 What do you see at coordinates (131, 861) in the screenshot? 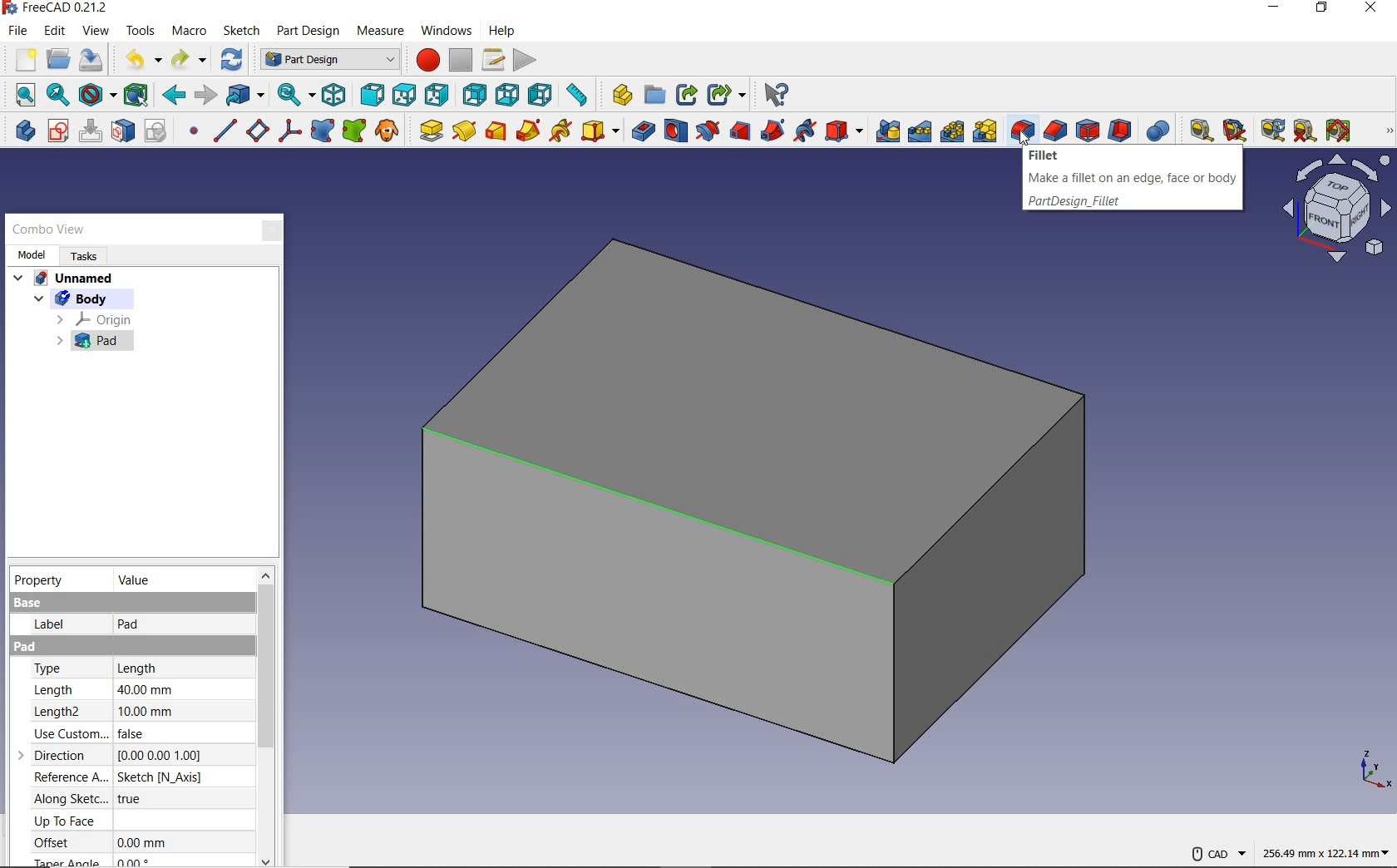
I see `0.00 degrees` at bounding box center [131, 861].